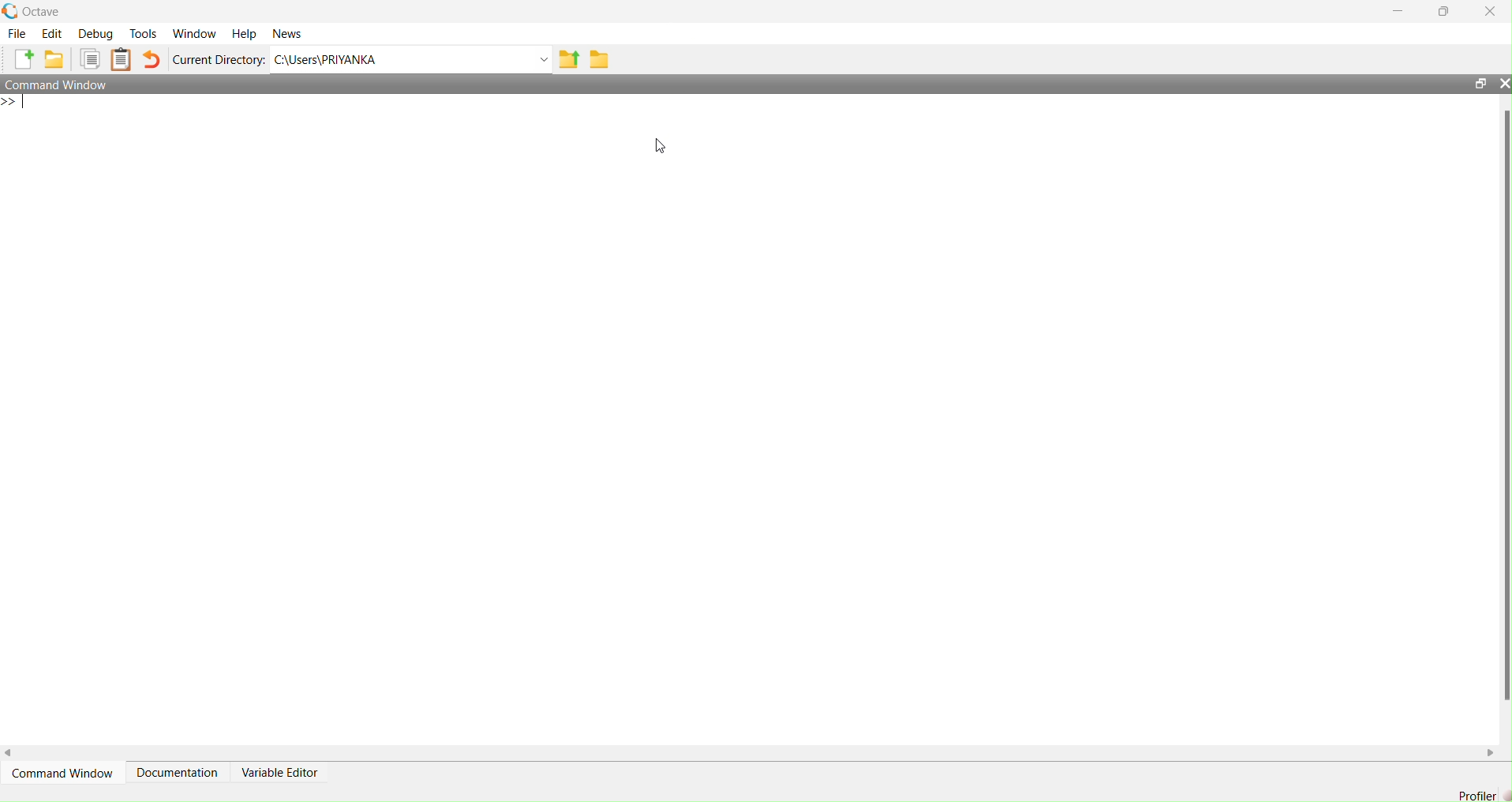  What do you see at coordinates (18, 104) in the screenshot?
I see `>> |` at bounding box center [18, 104].